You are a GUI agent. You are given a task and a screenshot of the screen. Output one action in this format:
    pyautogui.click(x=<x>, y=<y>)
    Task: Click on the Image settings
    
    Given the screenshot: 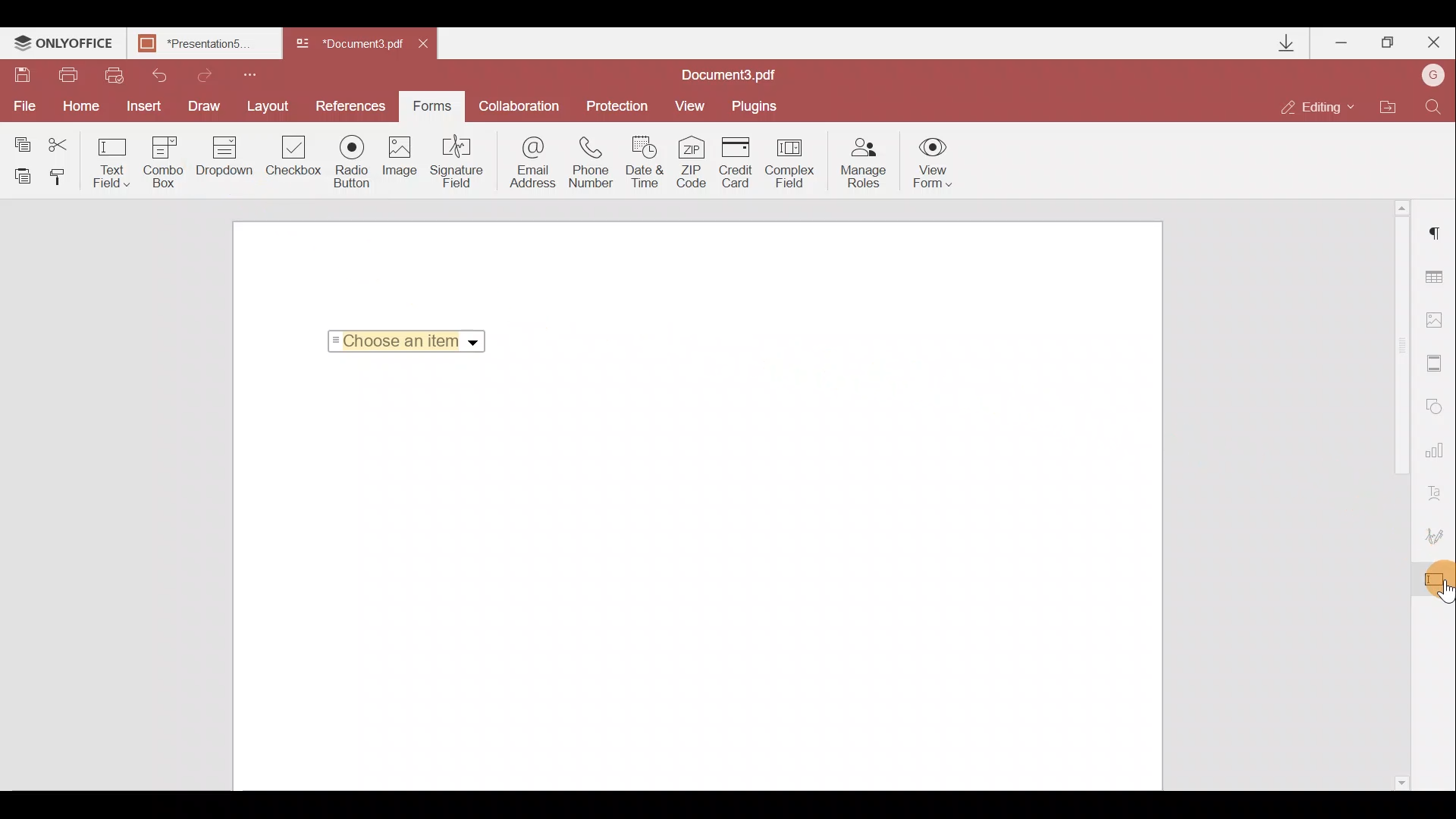 What is the action you would take?
    pyautogui.click(x=1439, y=319)
    